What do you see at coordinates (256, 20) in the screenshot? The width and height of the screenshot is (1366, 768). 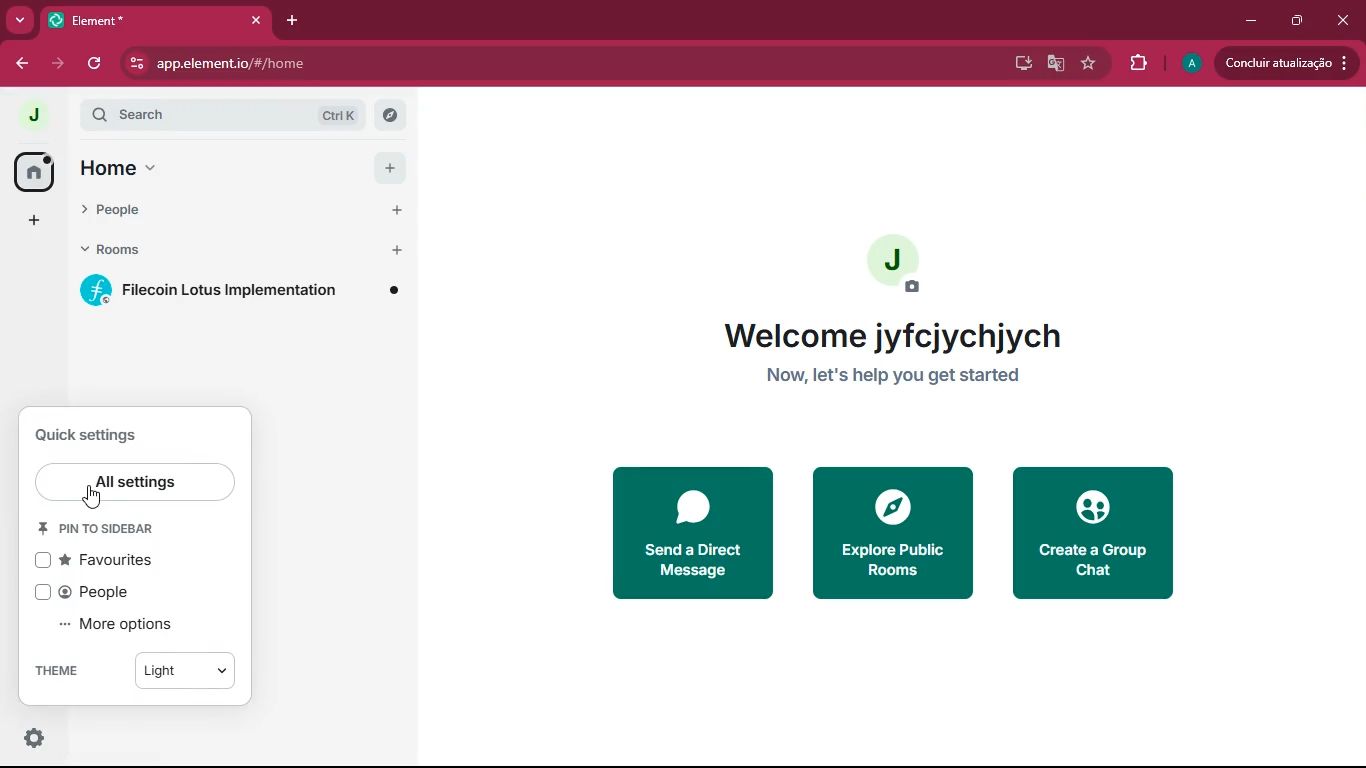 I see `close tab` at bounding box center [256, 20].